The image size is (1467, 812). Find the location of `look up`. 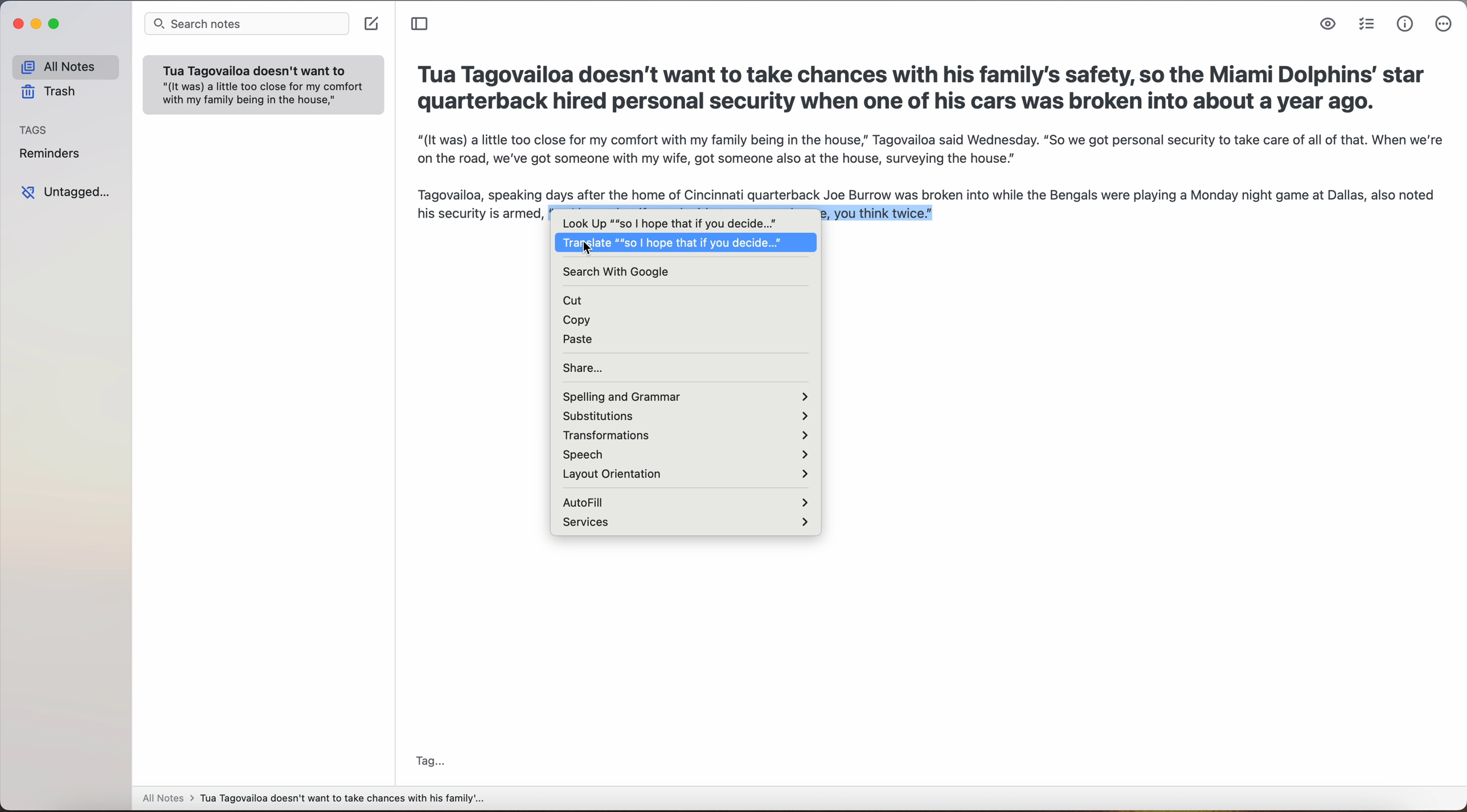

look up is located at coordinates (671, 222).